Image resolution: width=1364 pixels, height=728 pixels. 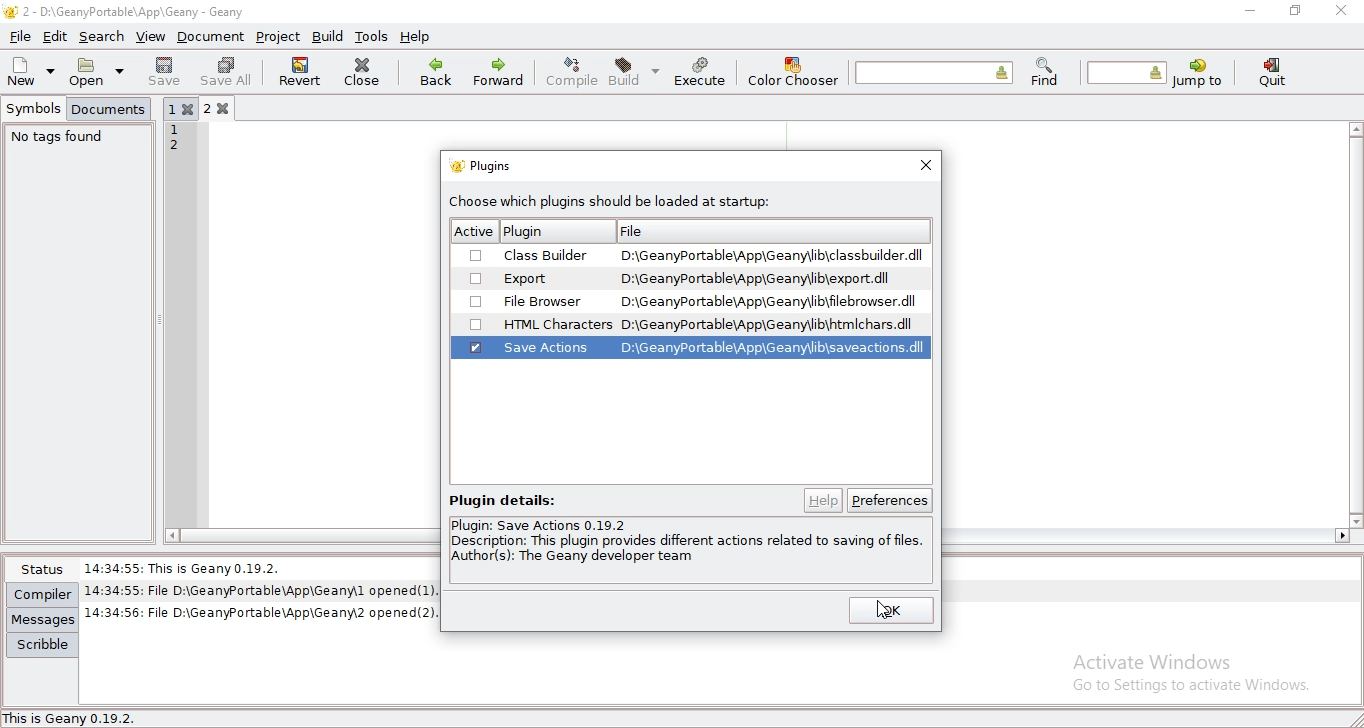 What do you see at coordinates (365, 70) in the screenshot?
I see `close` at bounding box center [365, 70].